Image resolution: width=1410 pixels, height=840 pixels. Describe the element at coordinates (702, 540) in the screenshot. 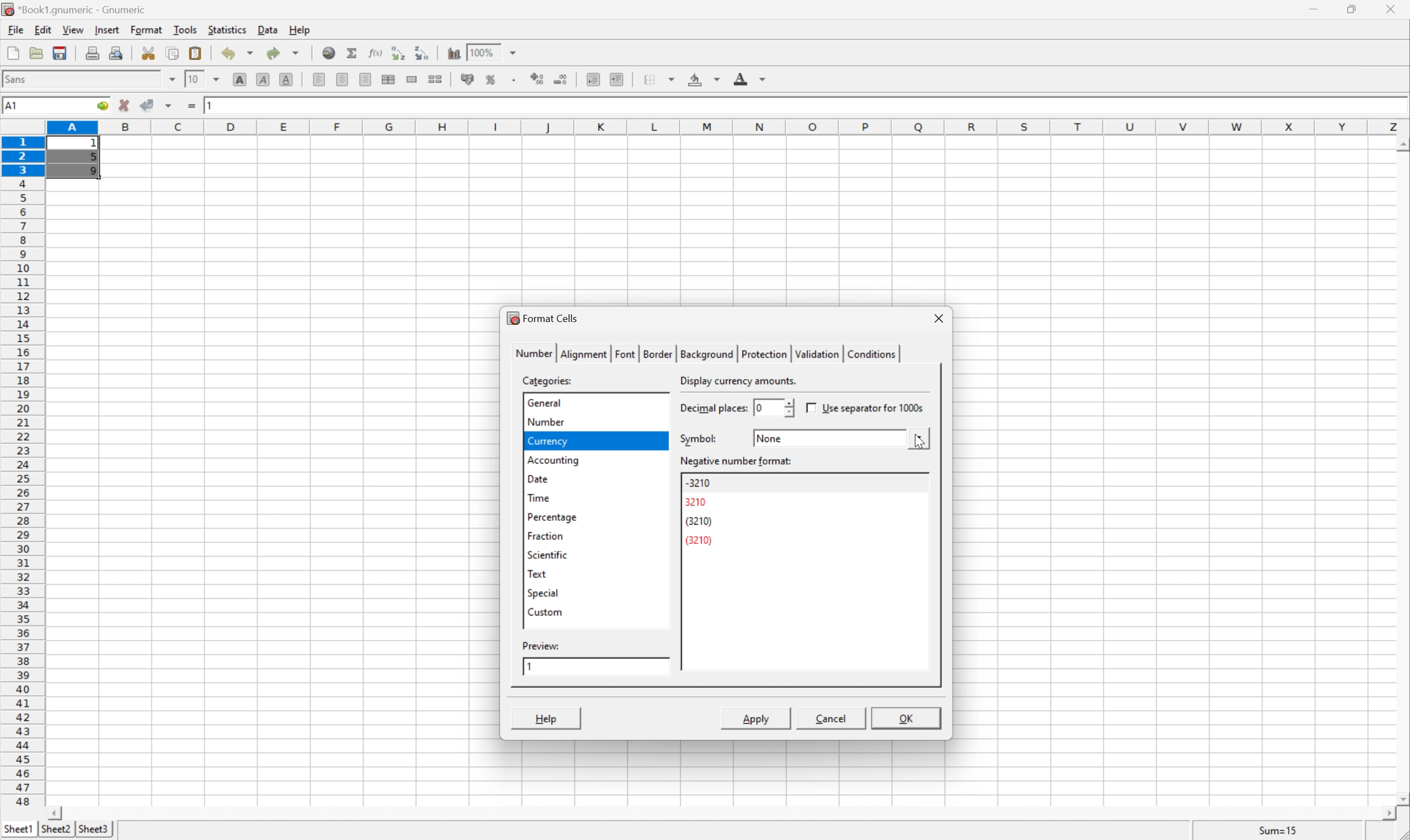

I see `(3210)` at that location.